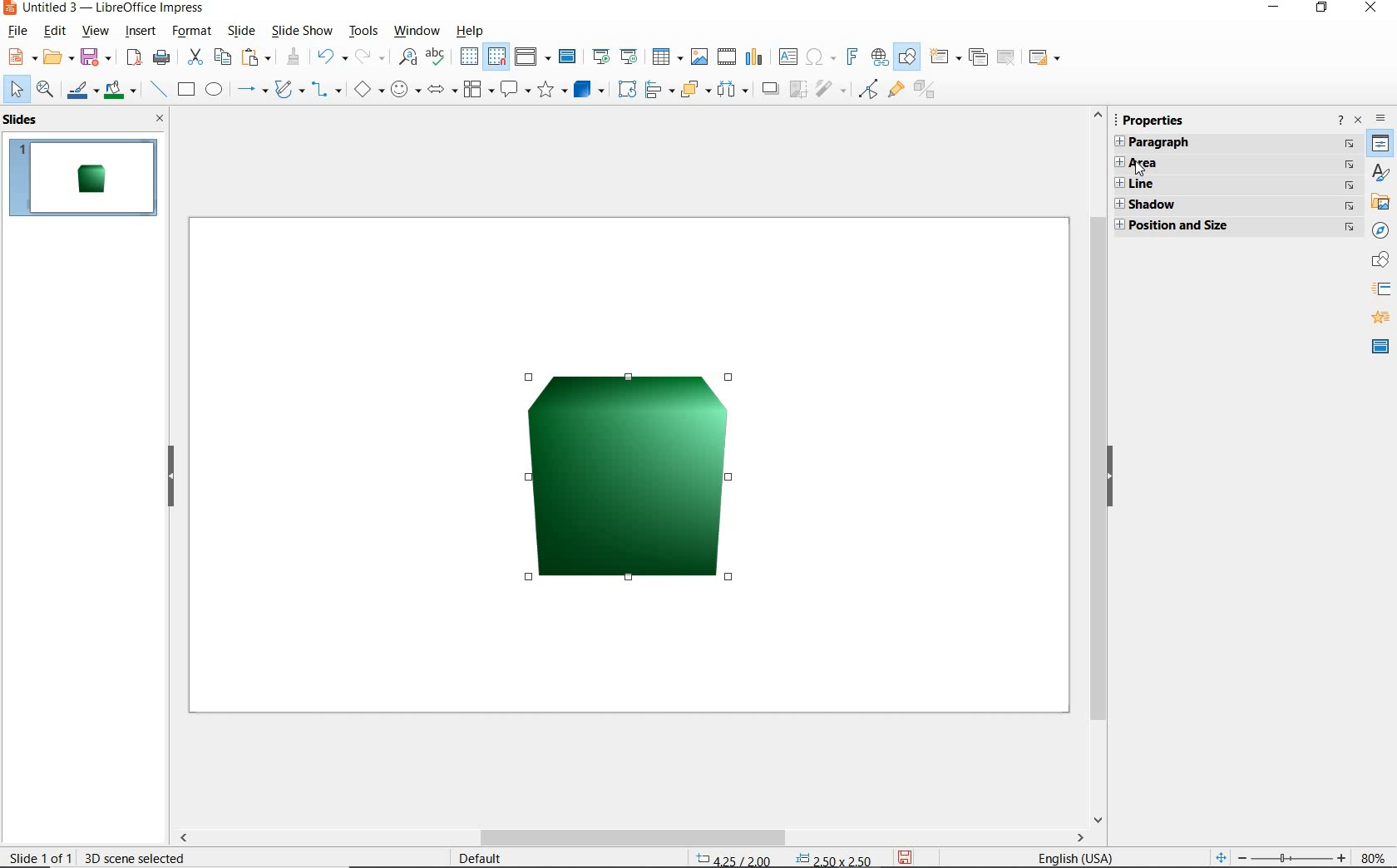 The image size is (1397, 868). Describe the element at coordinates (853, 59) in the screenshot. I see `insert frontwork text` at that location.